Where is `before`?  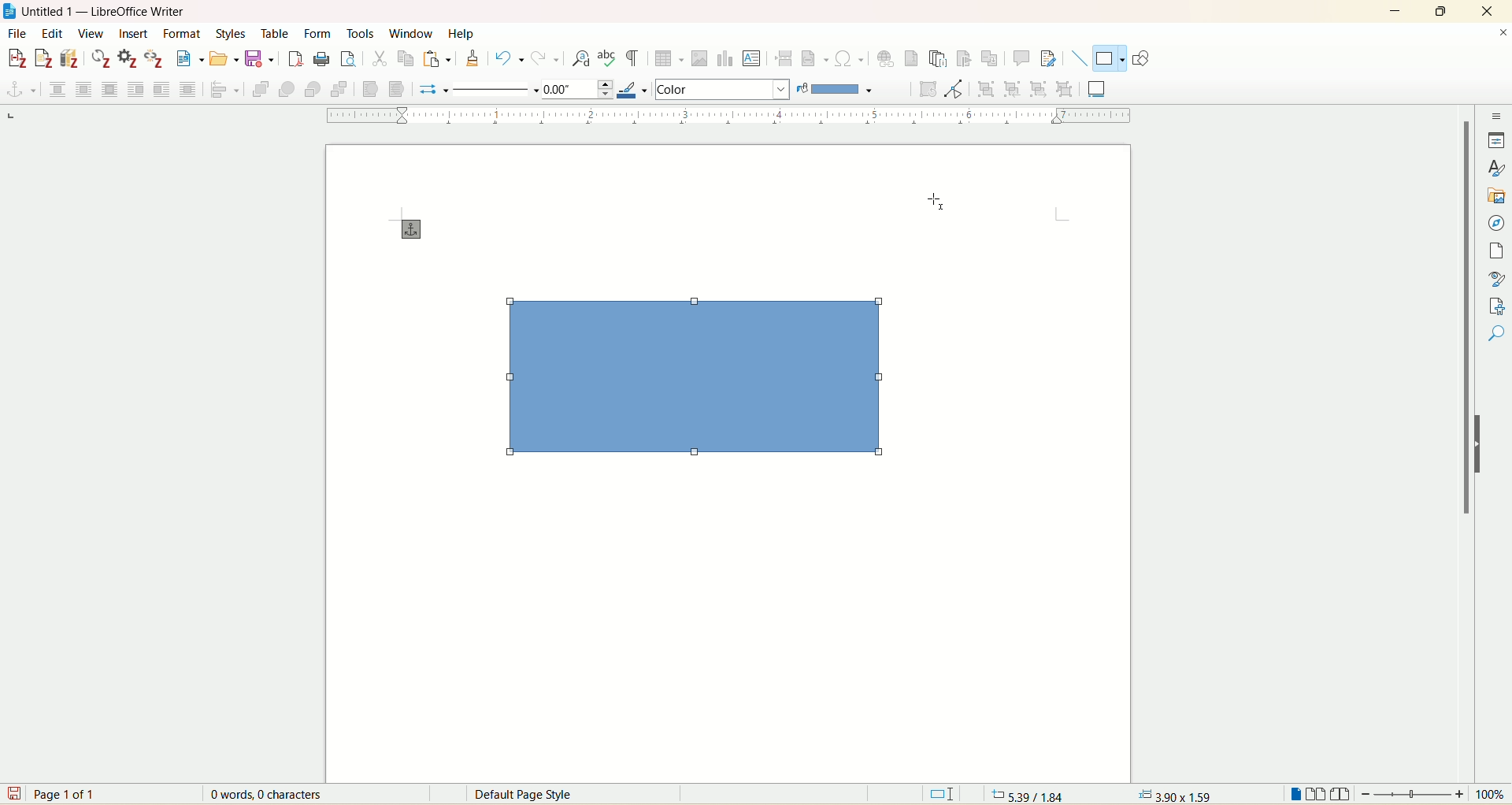
before is located at coordinates (136, 87).